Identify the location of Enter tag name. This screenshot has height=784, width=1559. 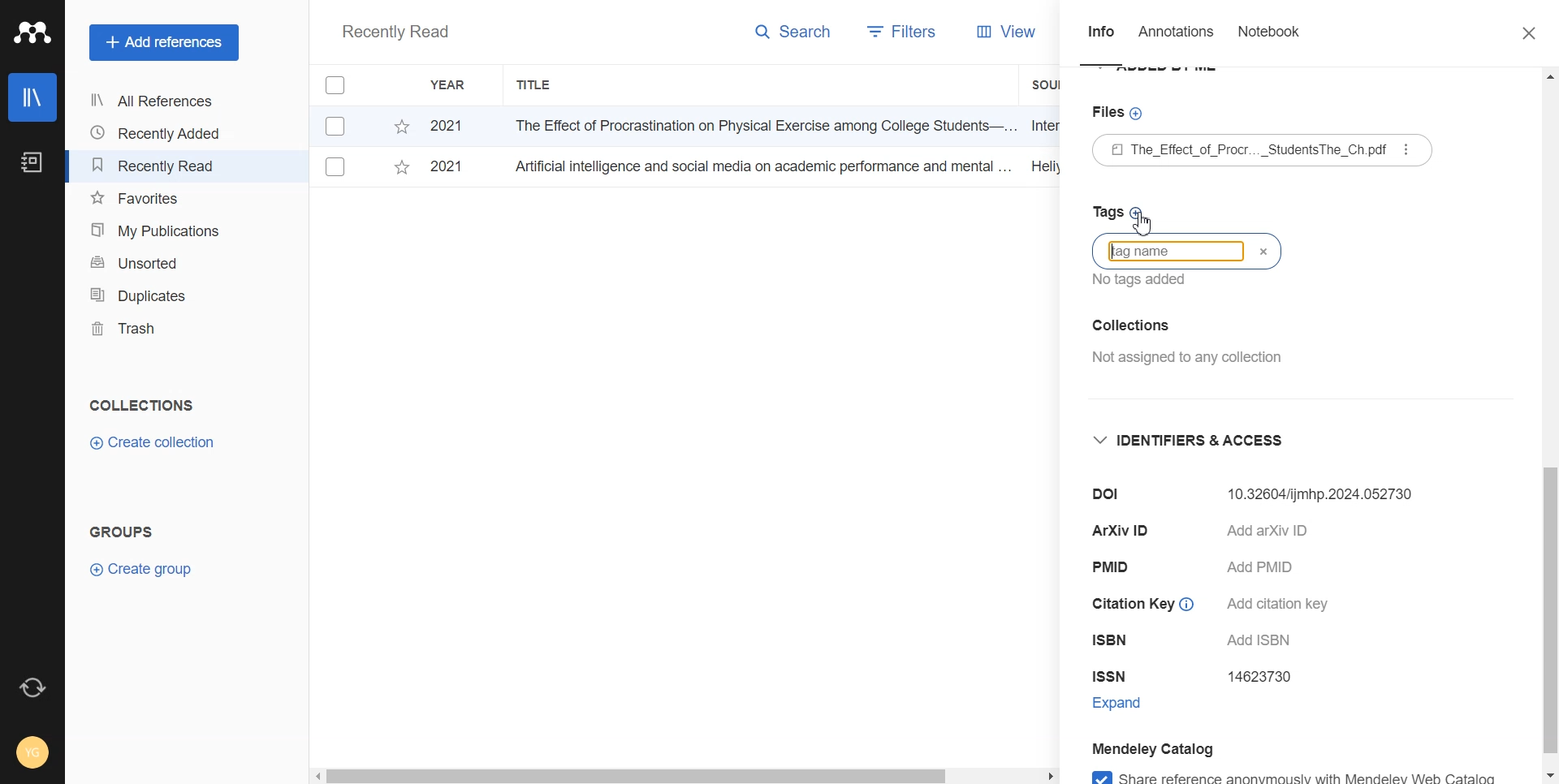
(1187, 251).